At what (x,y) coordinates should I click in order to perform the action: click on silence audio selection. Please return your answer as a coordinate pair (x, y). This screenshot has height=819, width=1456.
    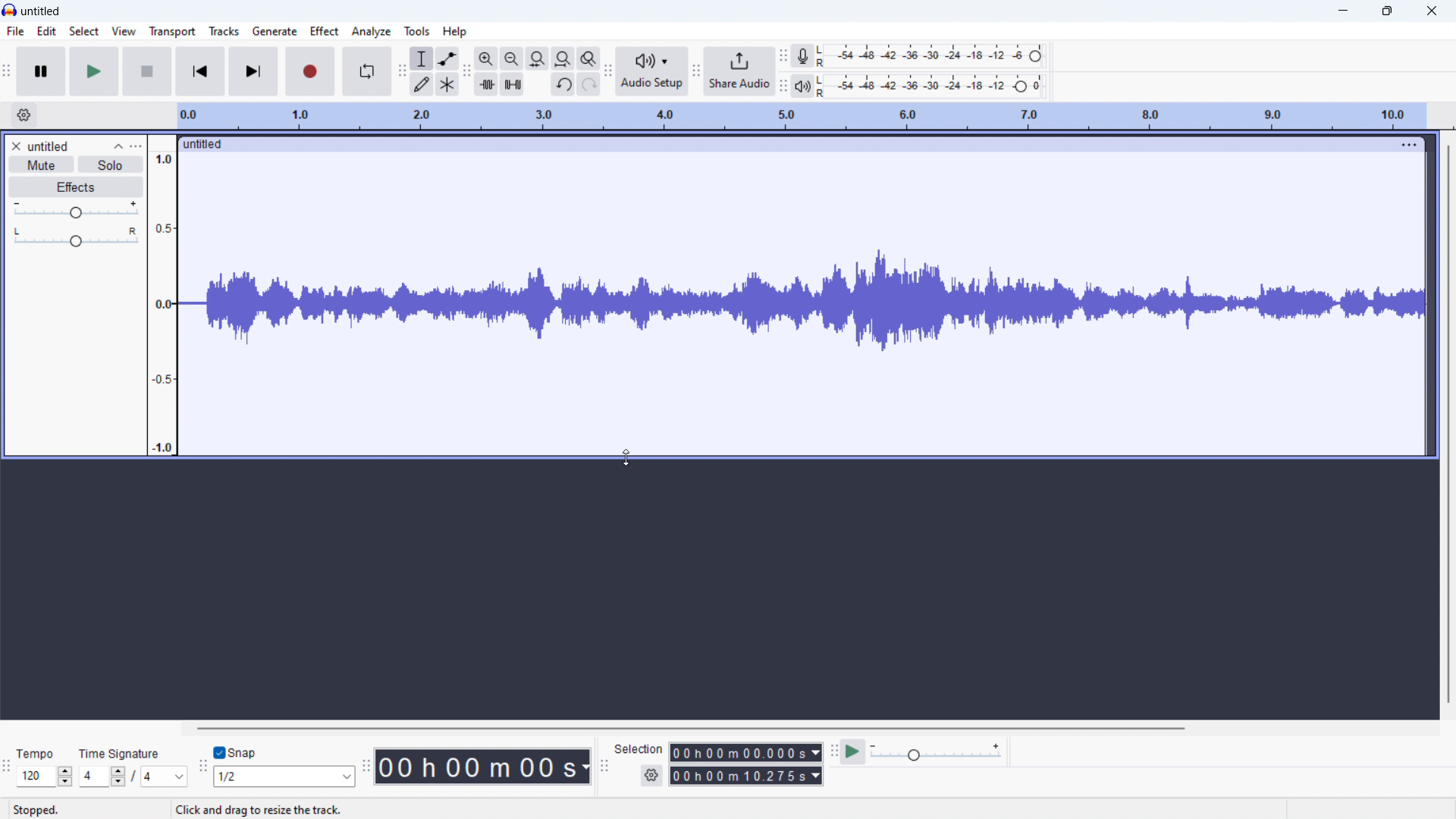
    Looking at the image, I should click on (512, 84).